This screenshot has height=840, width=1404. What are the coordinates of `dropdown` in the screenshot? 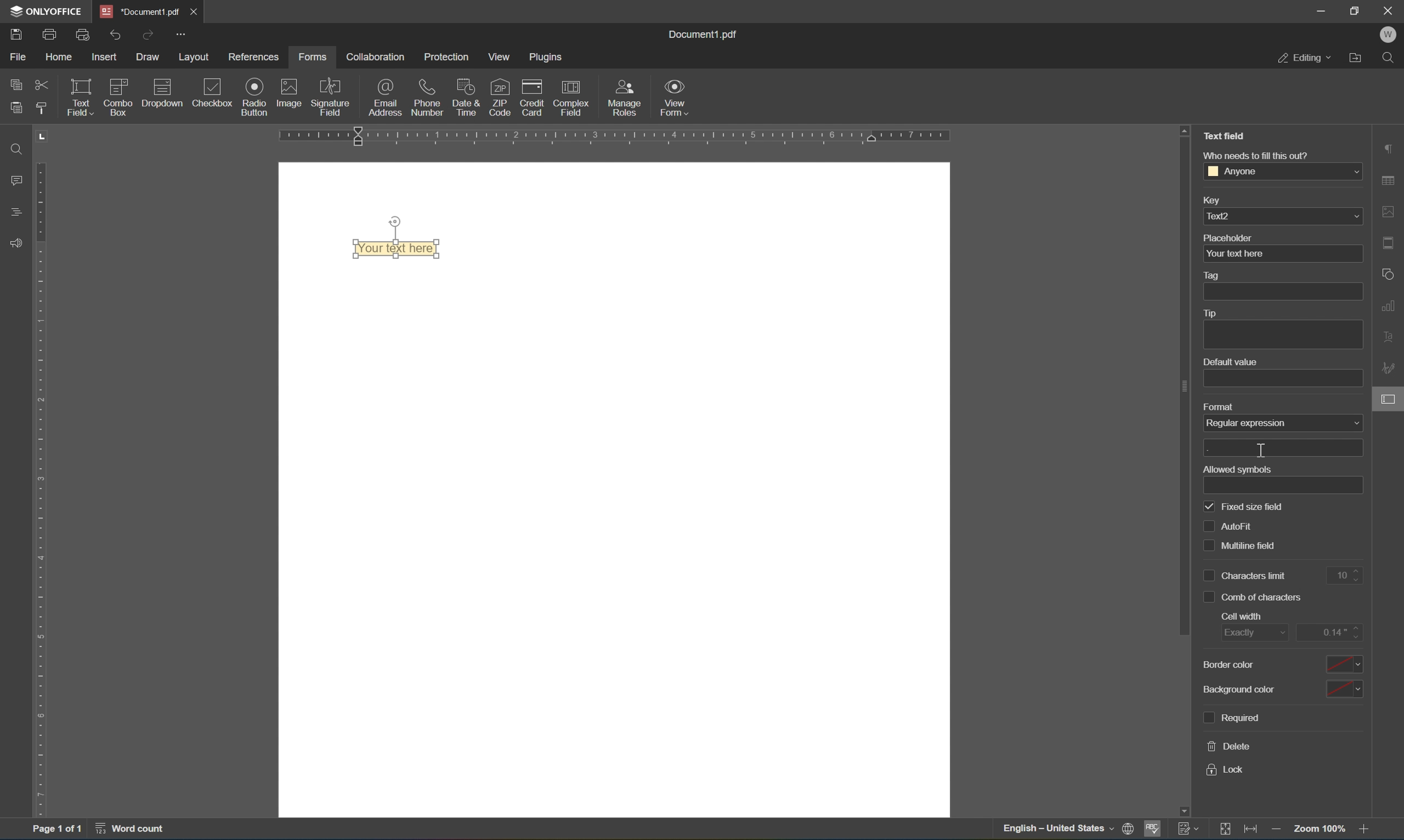 It's located at (161, 96).